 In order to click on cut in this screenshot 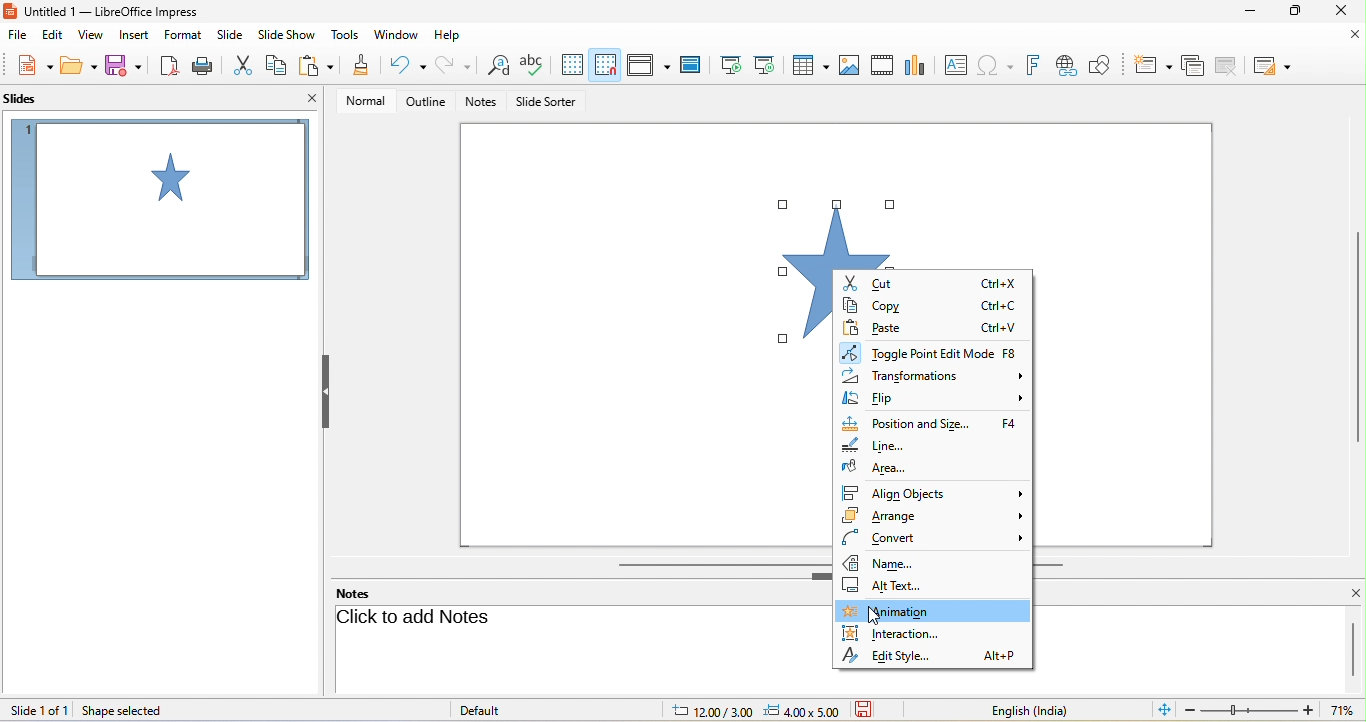, I will do `click(244, 65)`.